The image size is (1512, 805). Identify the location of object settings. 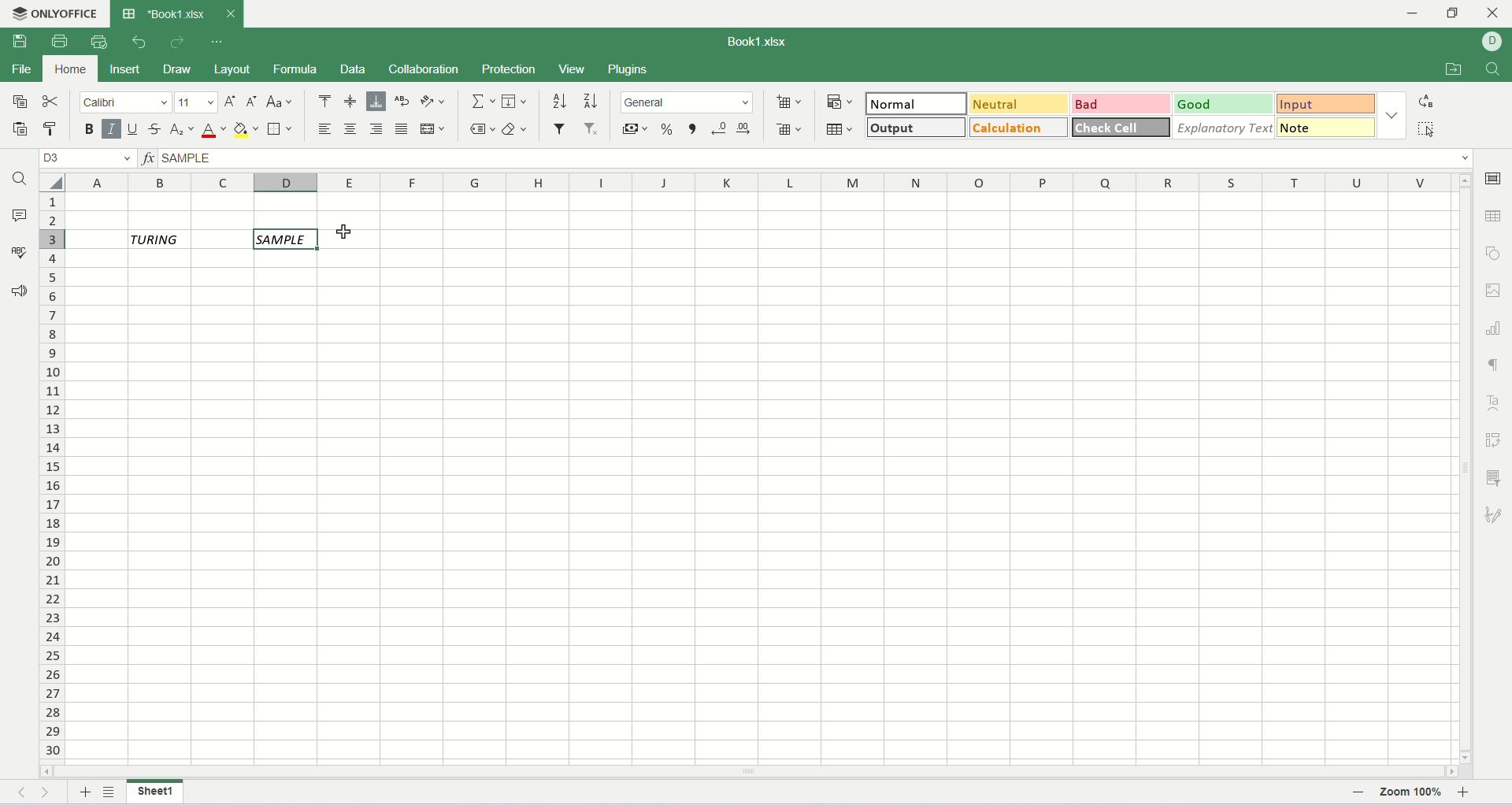
(1496, 253).